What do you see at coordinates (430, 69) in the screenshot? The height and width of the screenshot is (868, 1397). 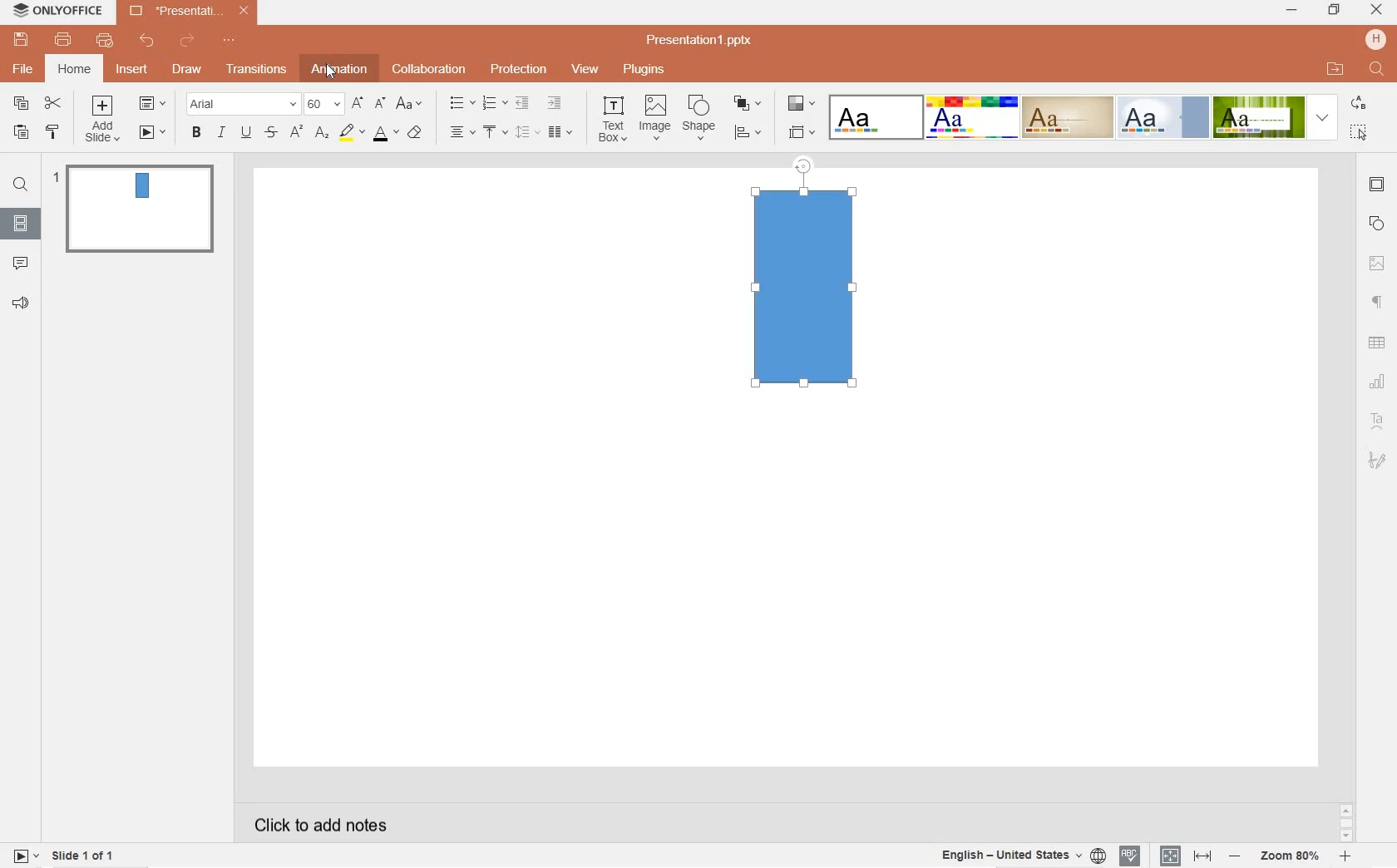 I see `collaboration` at bounding box center [430, 69].